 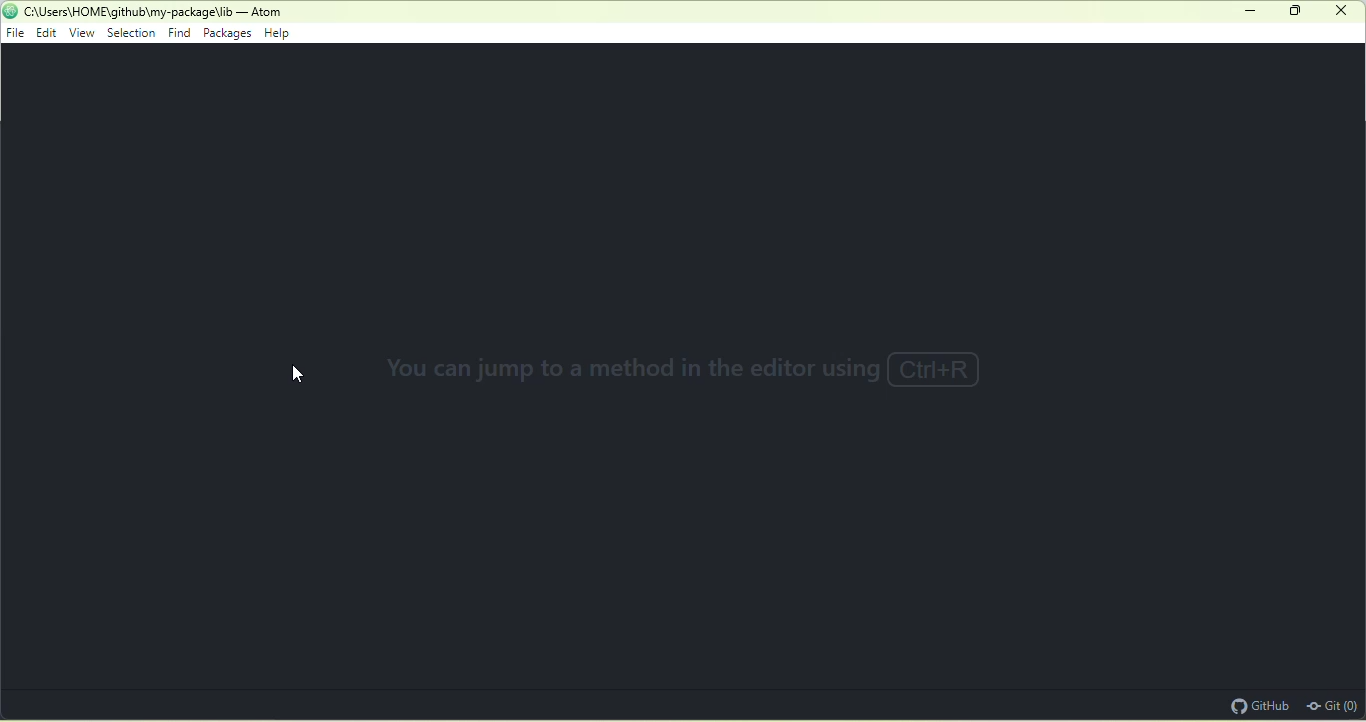 I want to click on selection, so click(x=133, y=34).